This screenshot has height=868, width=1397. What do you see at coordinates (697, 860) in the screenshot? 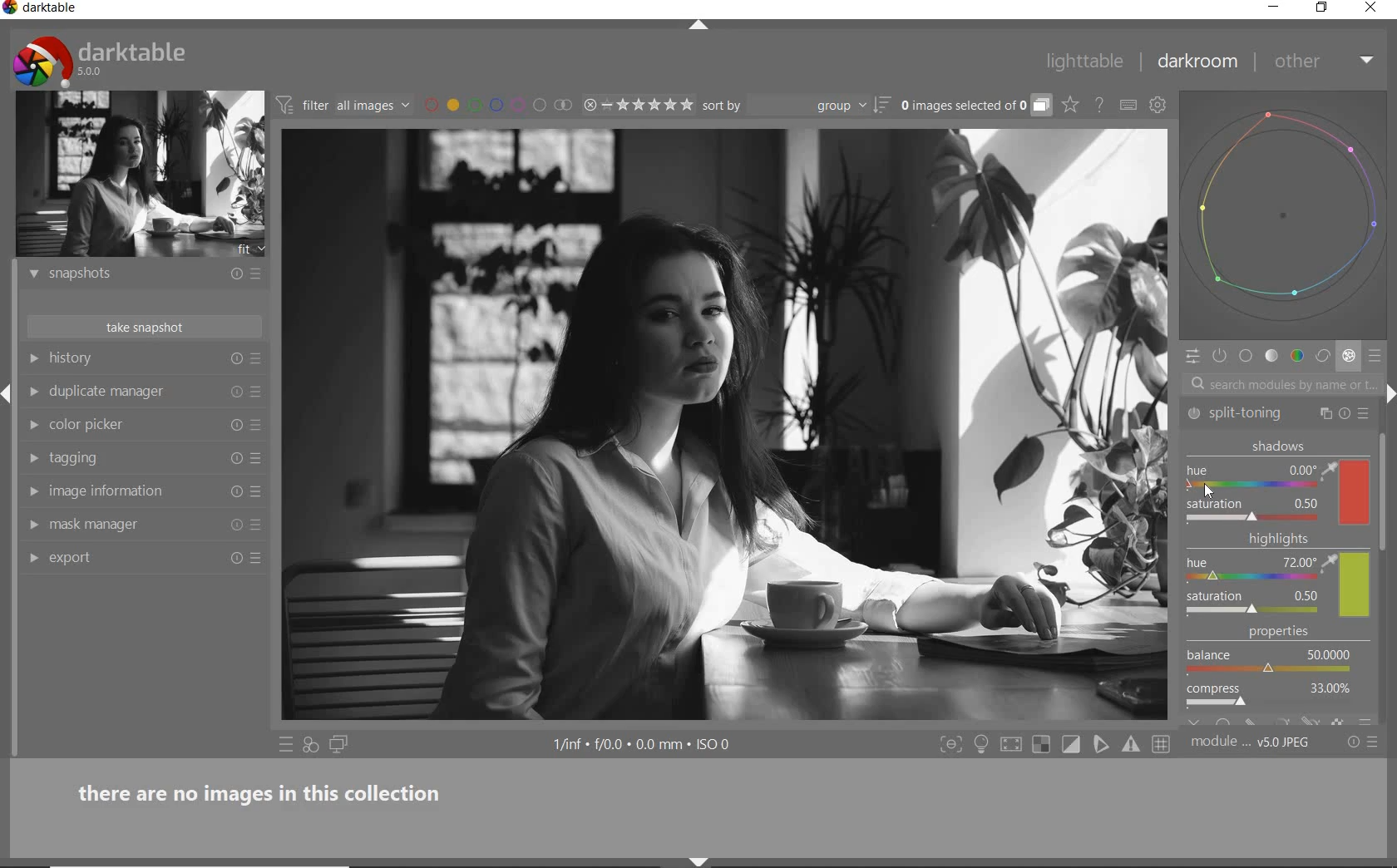
I see `shift+ctrl+b` at bounding box center [697, 860].